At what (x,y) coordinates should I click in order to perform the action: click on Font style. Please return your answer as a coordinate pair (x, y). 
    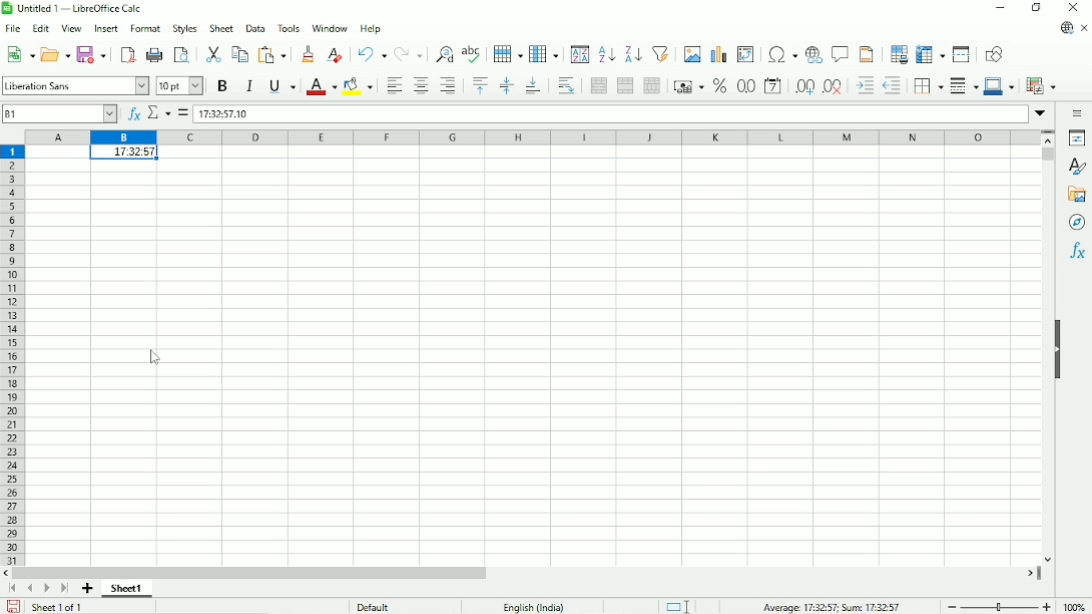
    Looking at the image, I should click on (75, 86).